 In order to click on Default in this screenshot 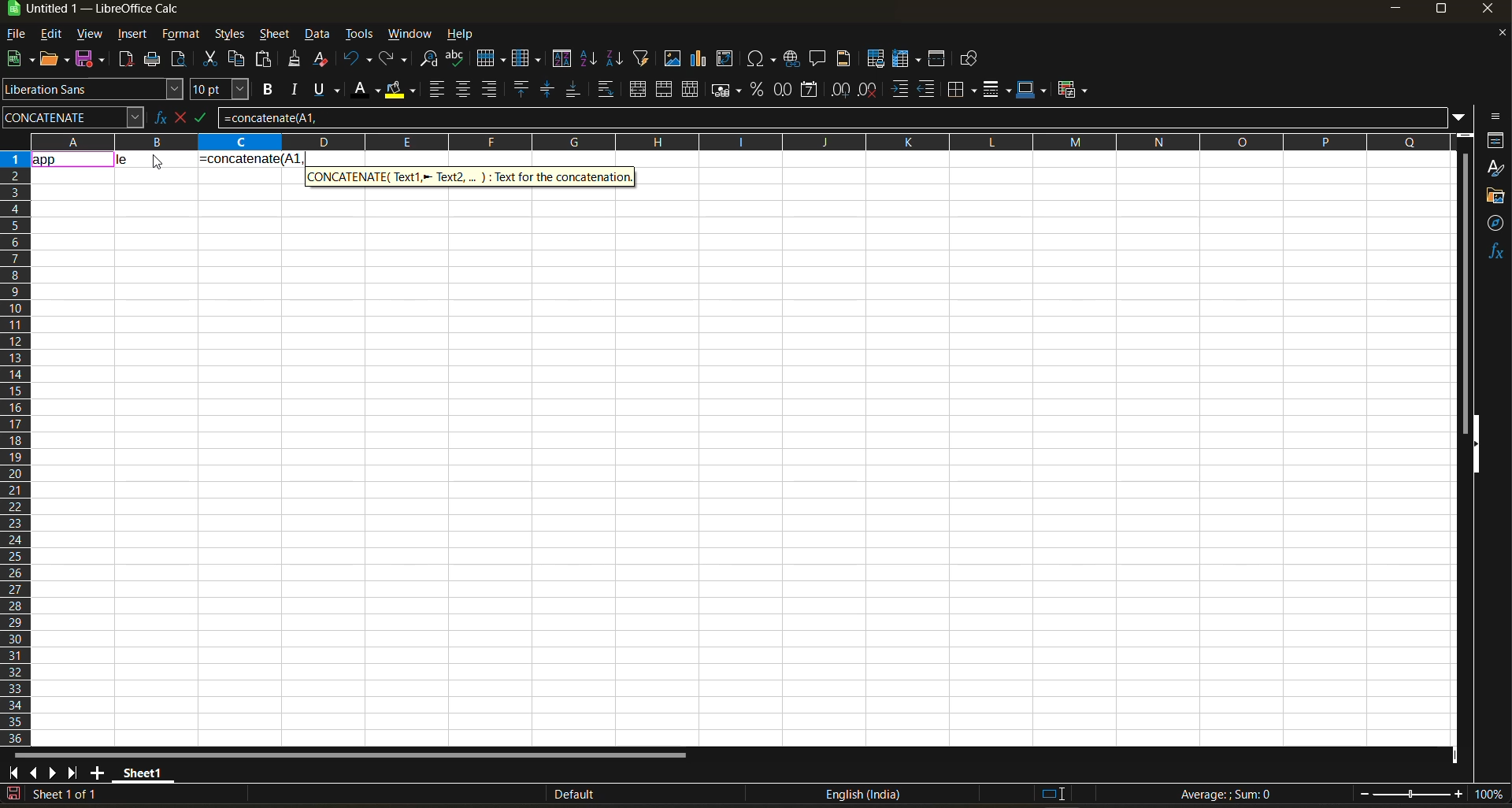, I will do `click(561, 795)`.